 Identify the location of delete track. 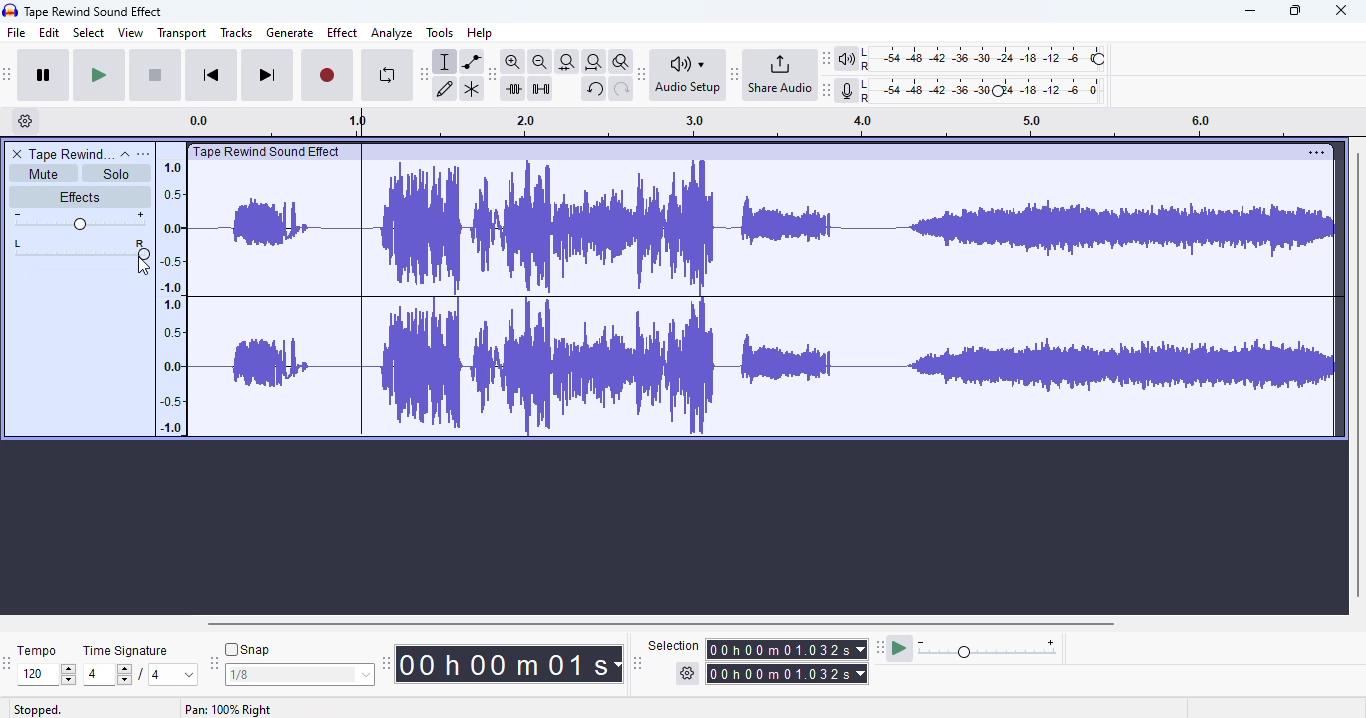
(18, 154).